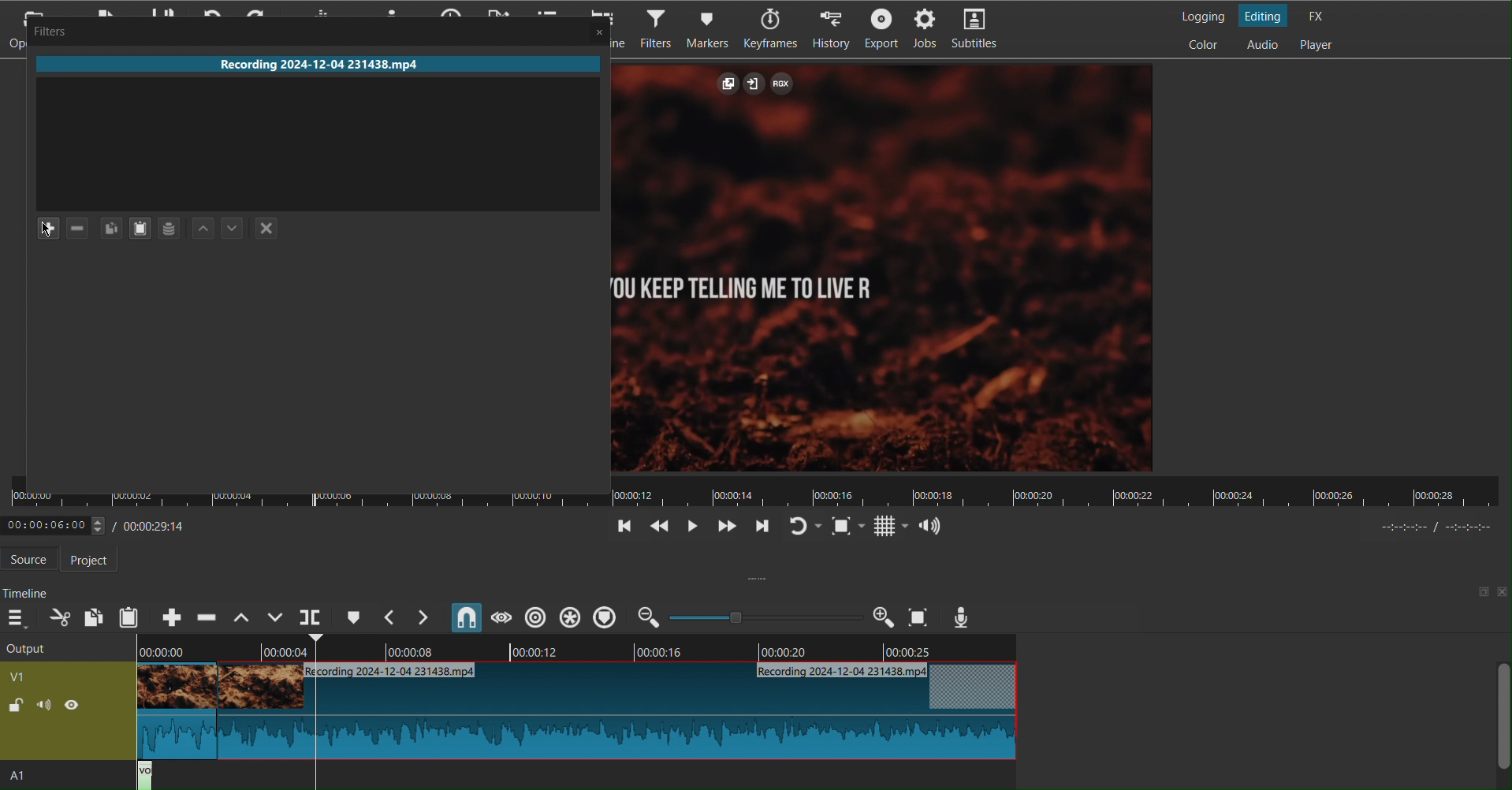 Image resolution: width=1512 pixels, height=790 pixels. Describe the element at coordinates (919, 617) in the screenshot. I see `Zoom Fit` at that location.